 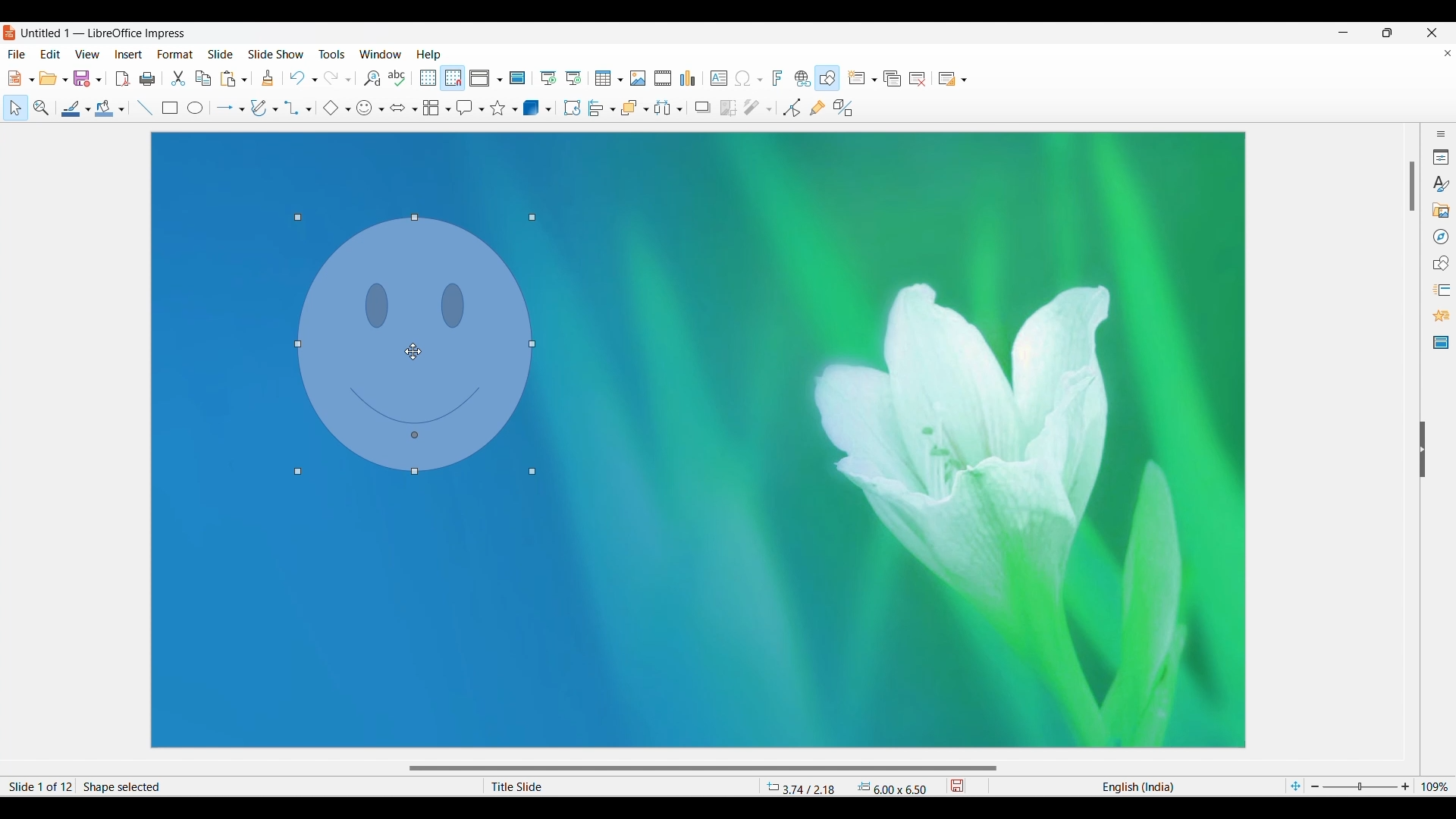 I want to click on Close current document, so click(x=1448, y=53).